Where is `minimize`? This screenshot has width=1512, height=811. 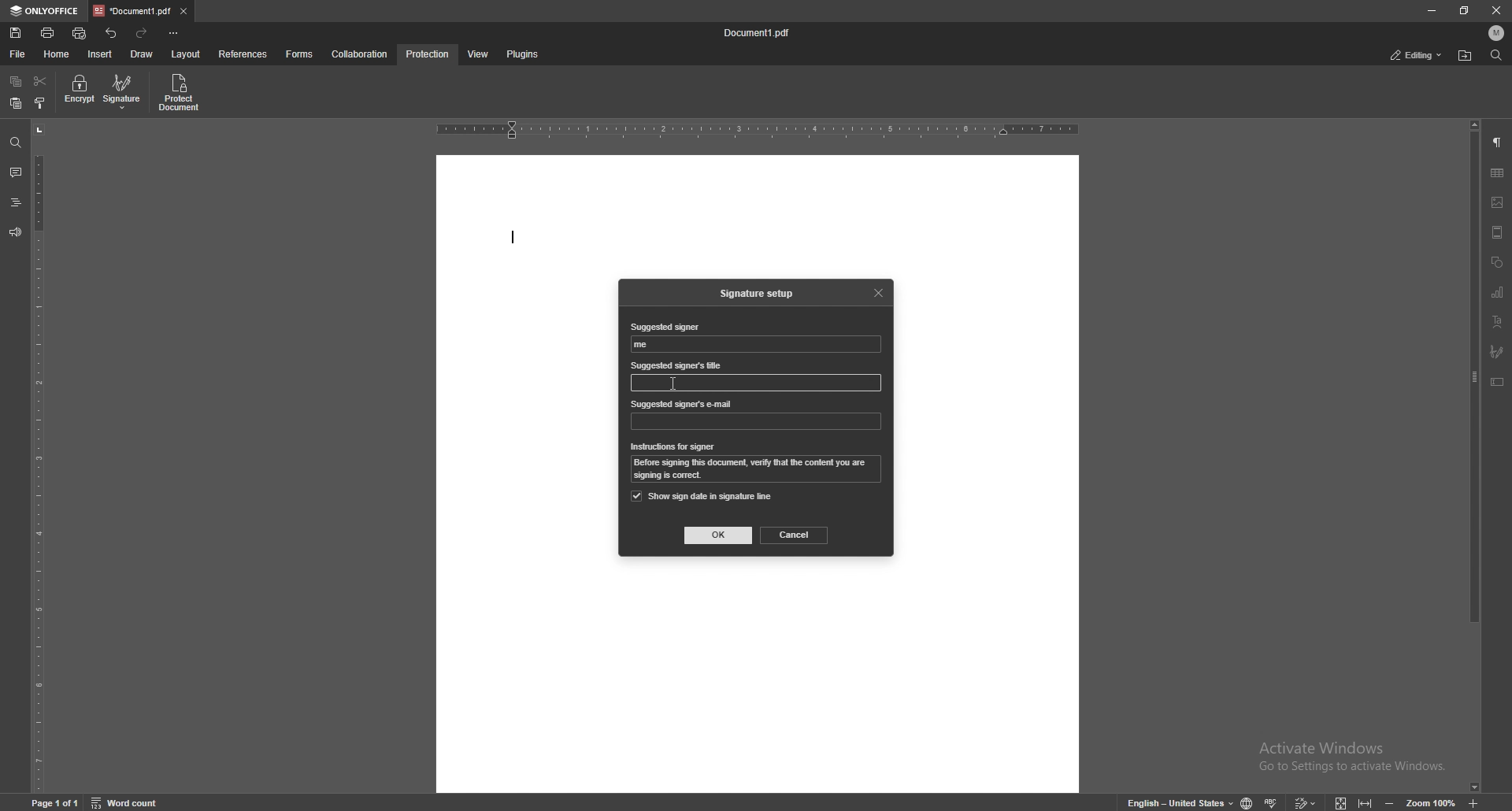 minimize is located at coordinates (1431, 9).